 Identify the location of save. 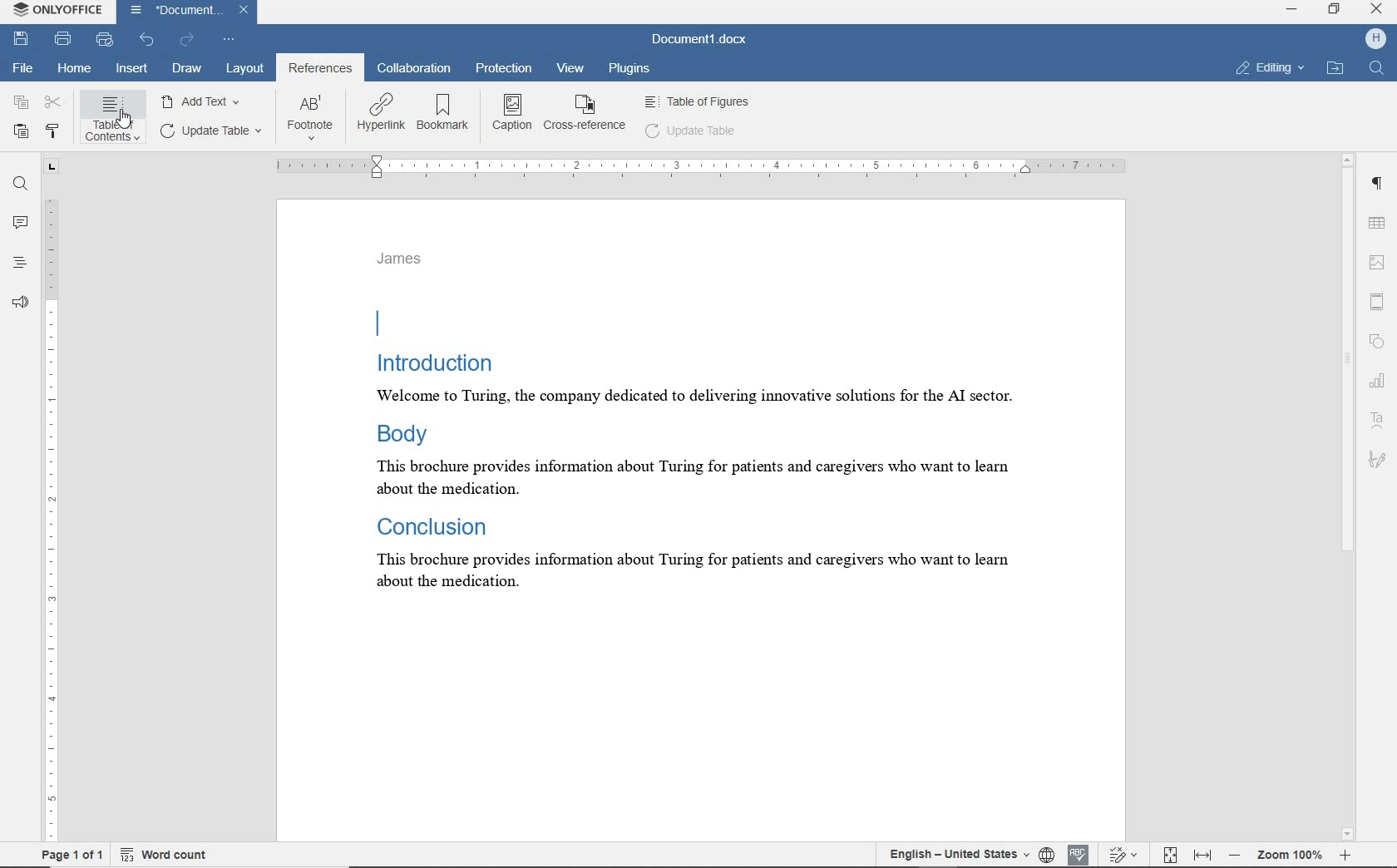
(23, 40).